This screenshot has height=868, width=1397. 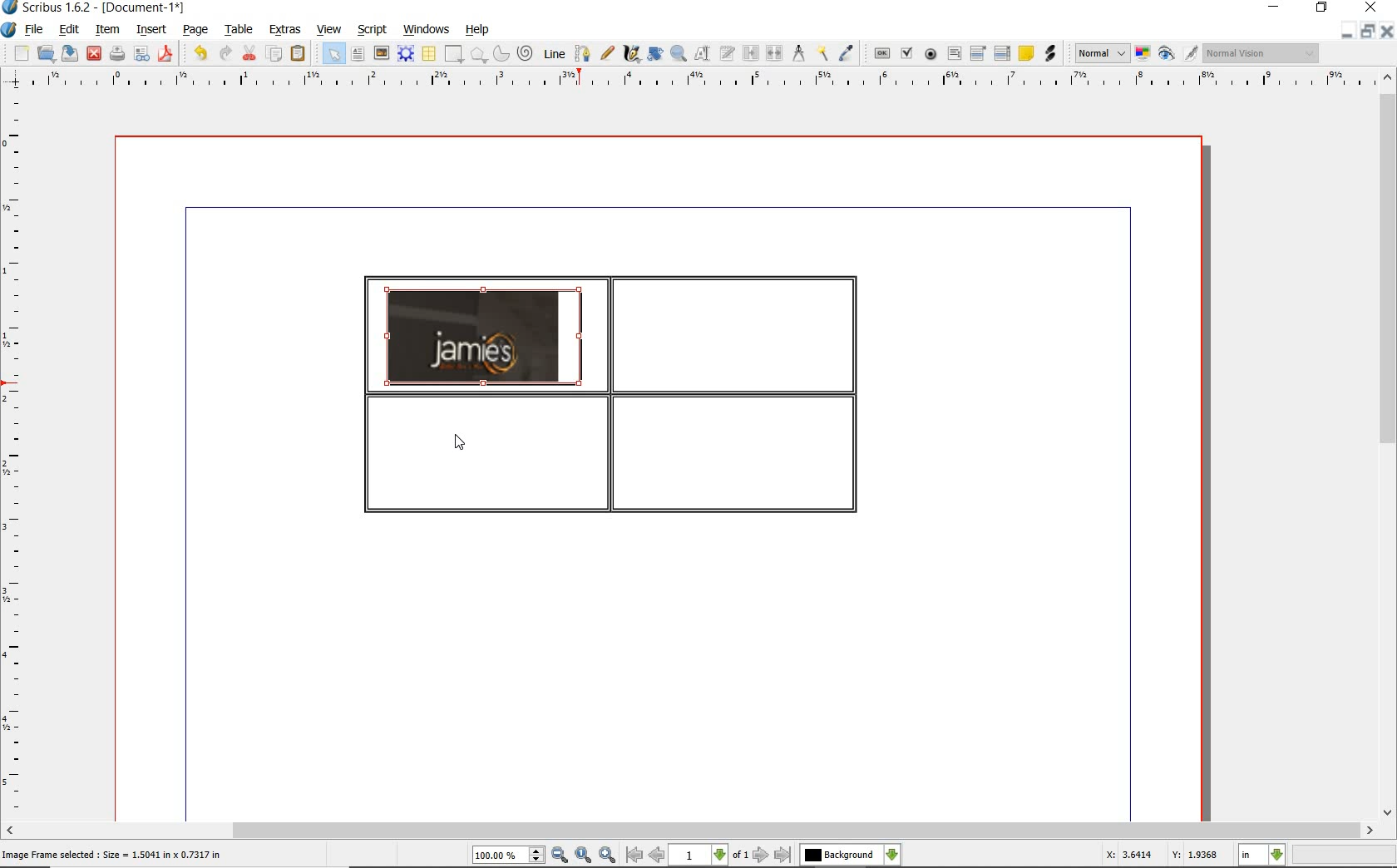 I want to click on edit, so click(x=67, y=30).